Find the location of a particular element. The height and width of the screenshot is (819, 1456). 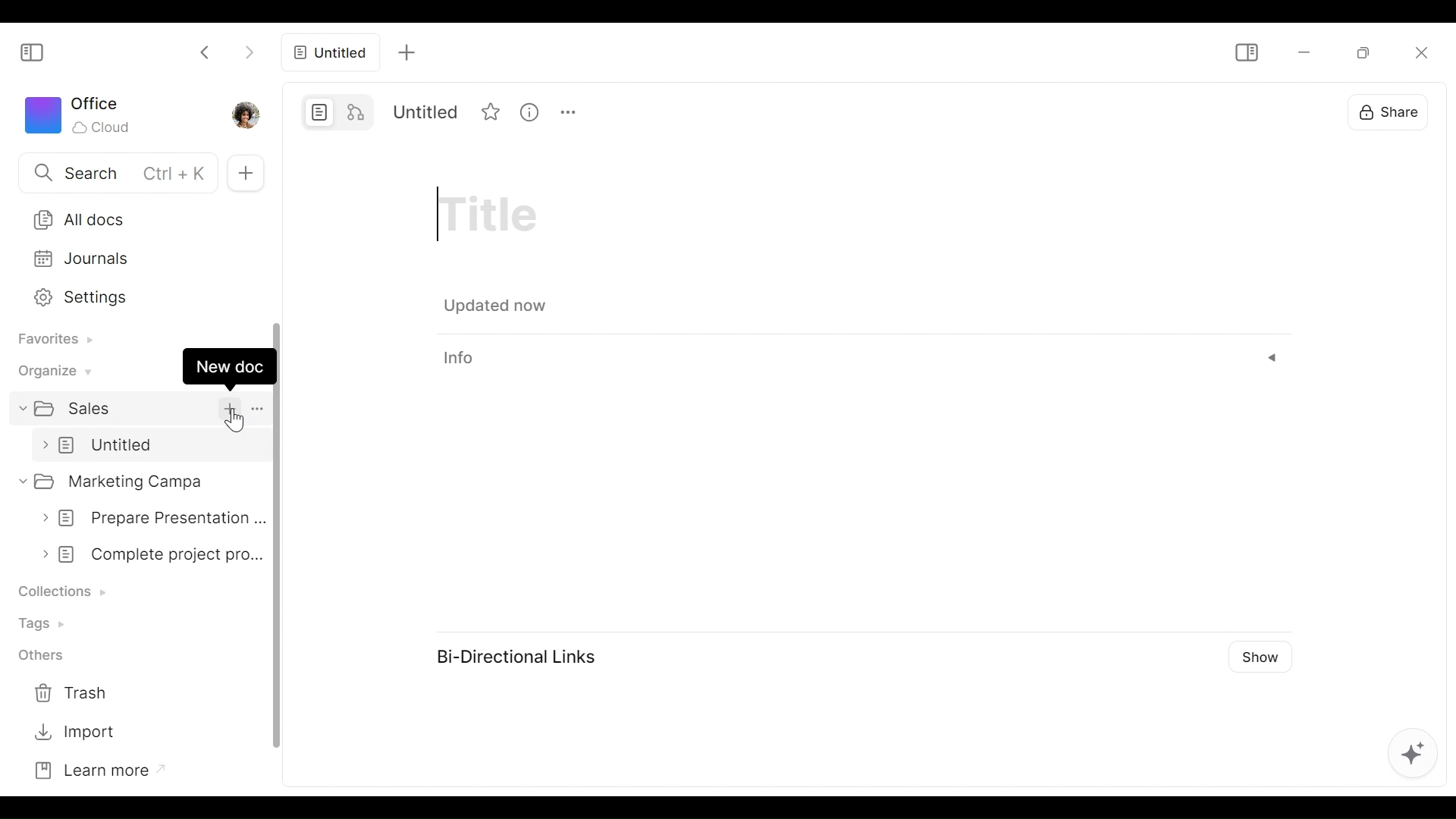

Show is located at coordinates (1263, 657).